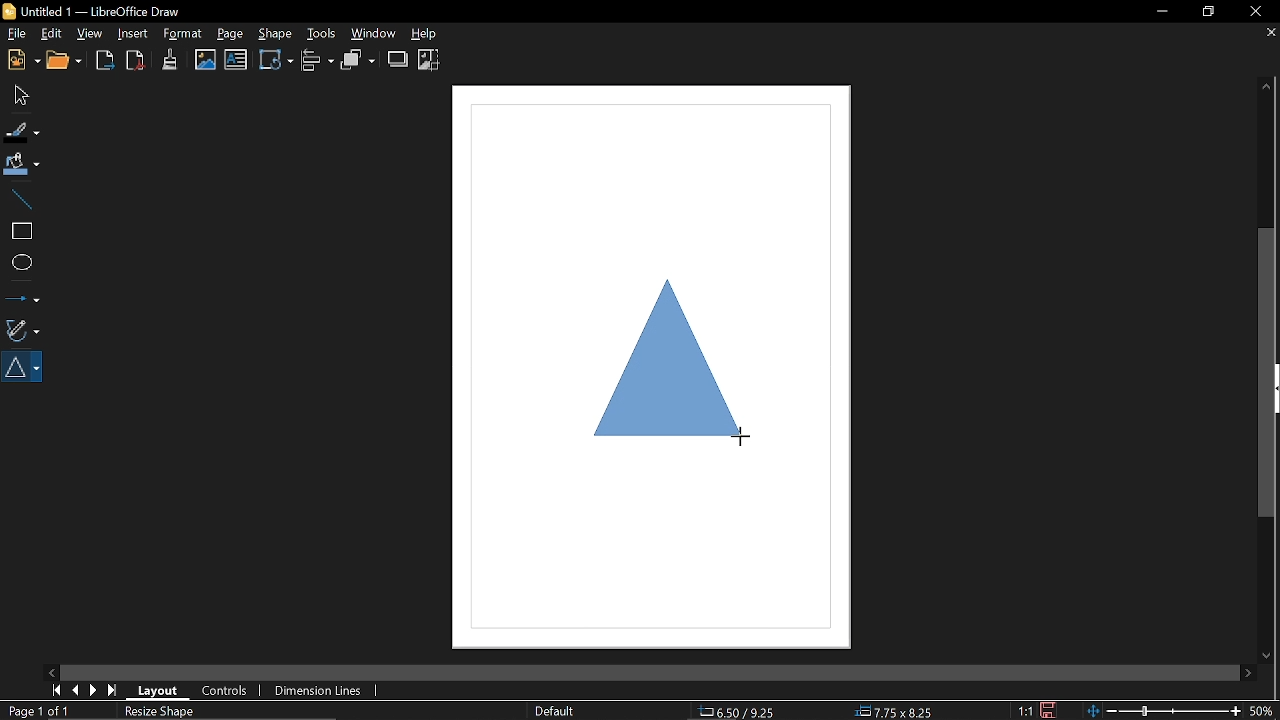 This screenshot has width=1280, height=720. What do you see at coordinates (1269, 373) in the screenshot?
I see `Vertical scrollbar` at bounding box center [1269, 373].